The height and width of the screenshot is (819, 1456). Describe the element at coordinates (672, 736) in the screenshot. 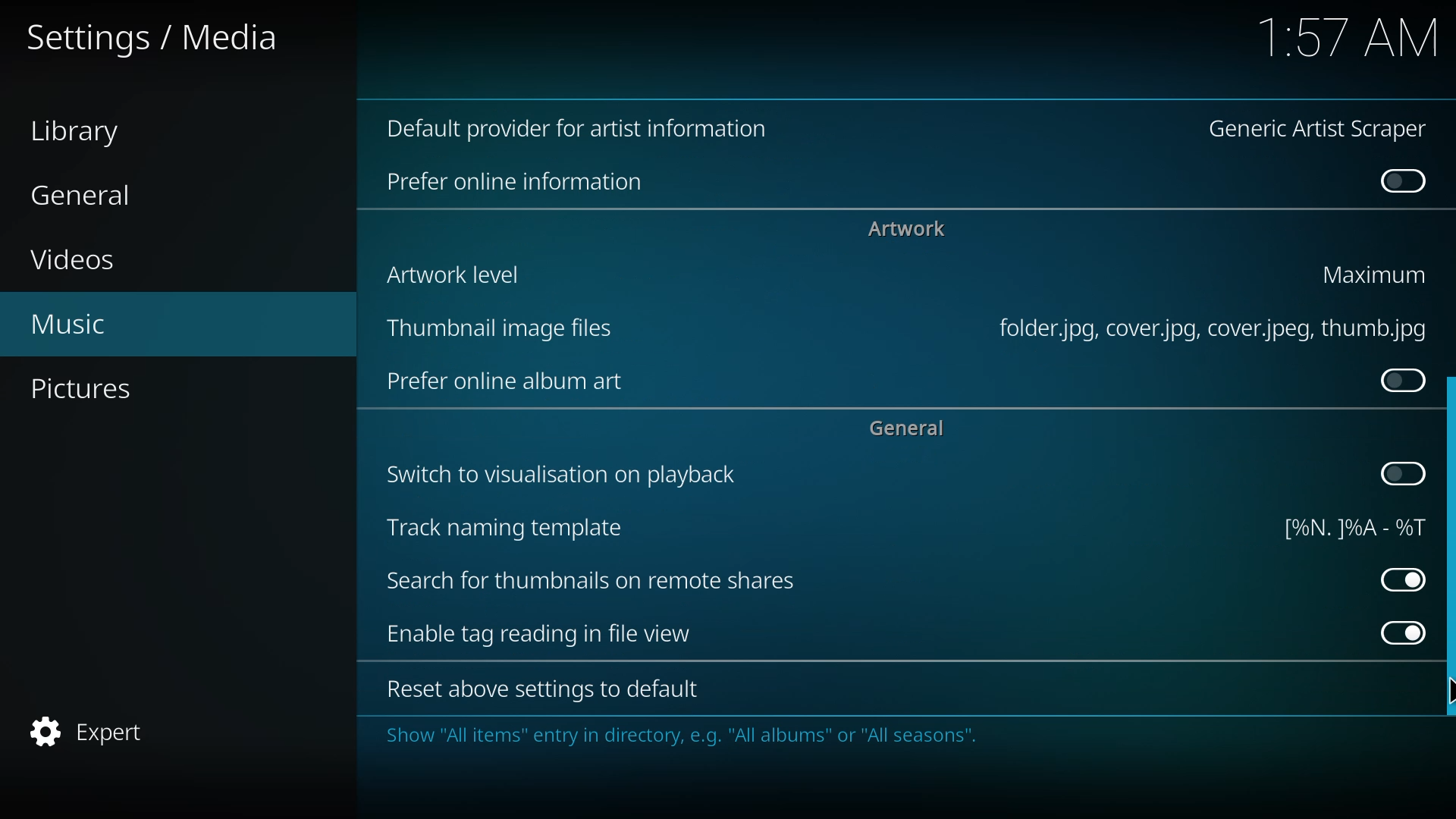

I see `info` at that location.